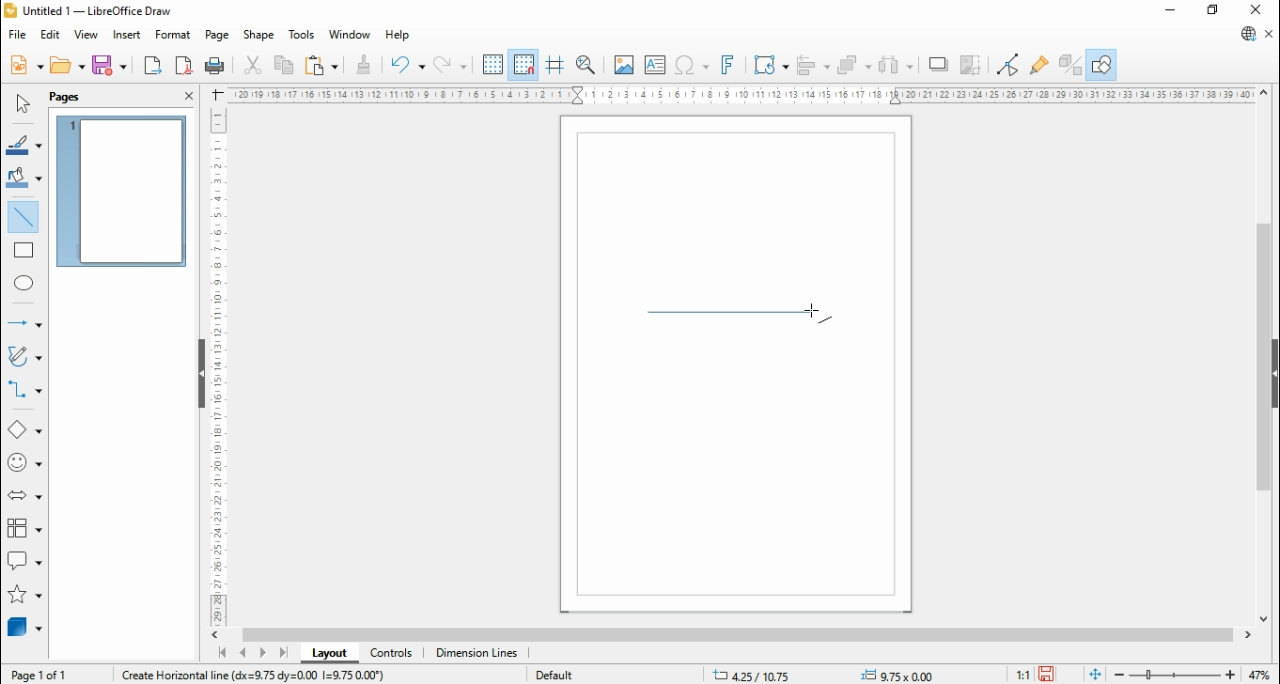 The height and width of the screenshot is (684, 1280). What do you see at coordinates (856, 63) in the screenshot?
I see `arrange` at bounding box center [856, 63].